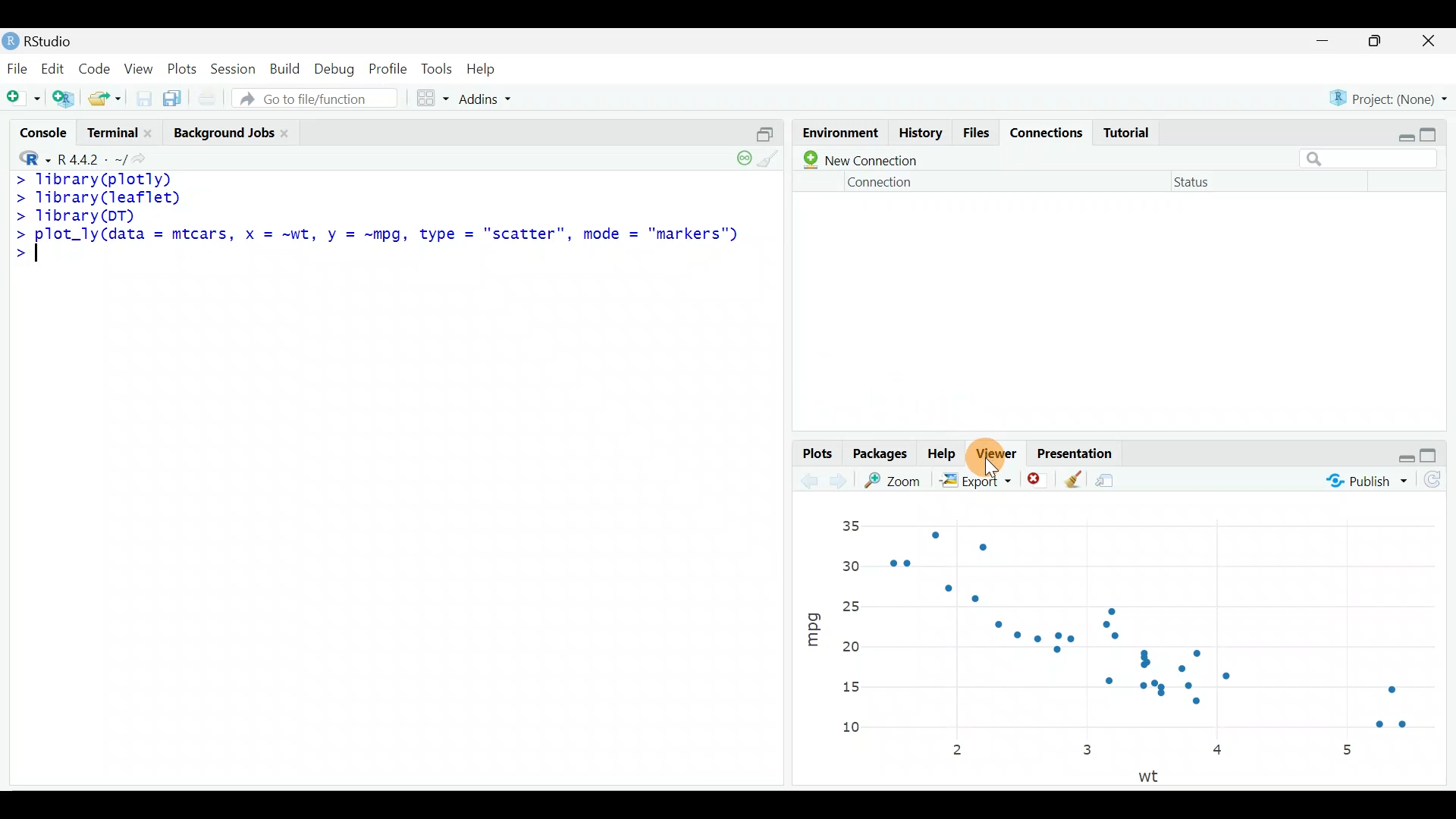  I want to click on Clear all viewer items, so click(1069, 479).